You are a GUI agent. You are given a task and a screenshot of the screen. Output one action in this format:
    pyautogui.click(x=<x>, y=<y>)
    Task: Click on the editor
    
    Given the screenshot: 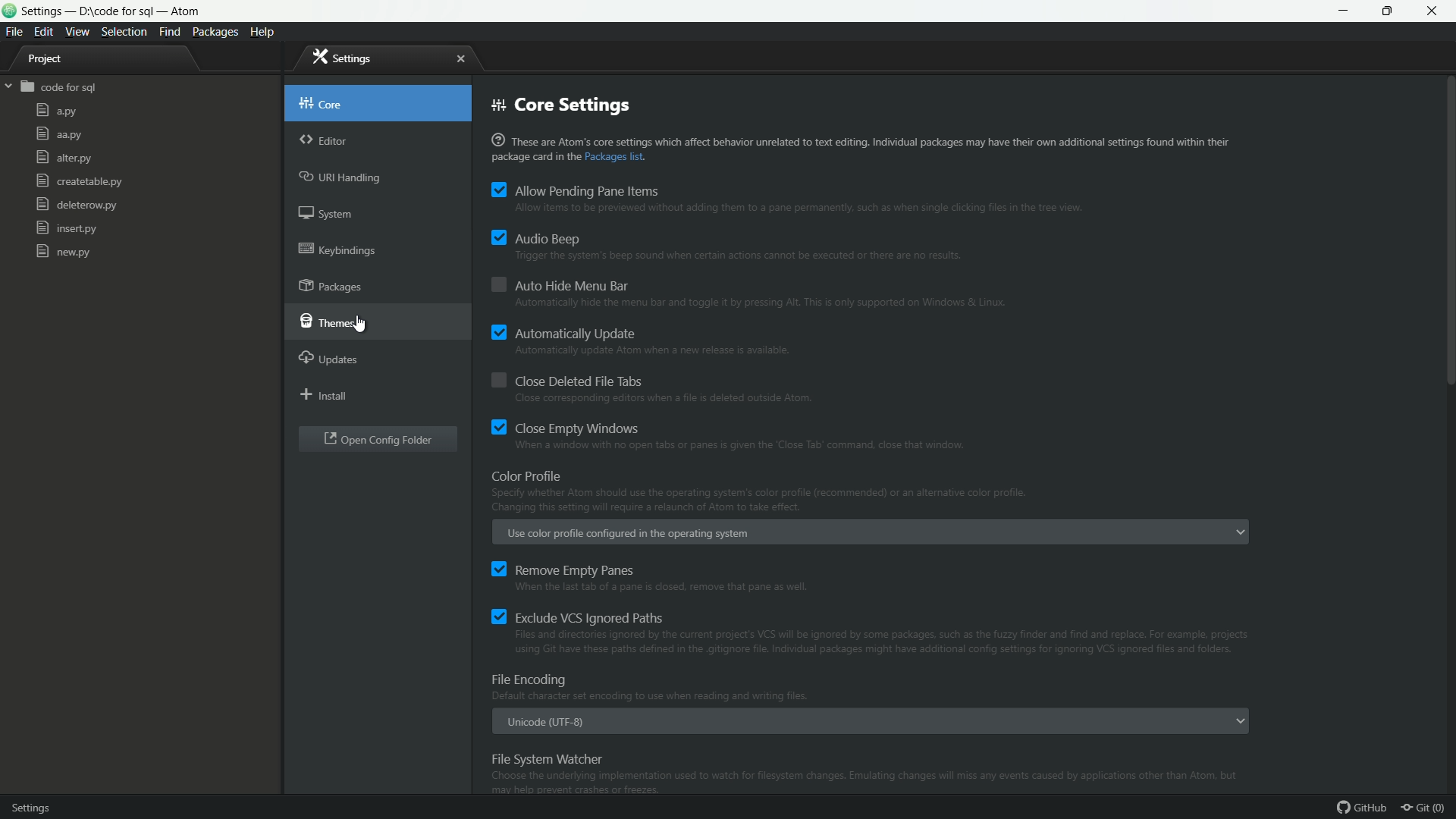 What is the action you would take?
    pyautogui.click(x=324, y=142)
    